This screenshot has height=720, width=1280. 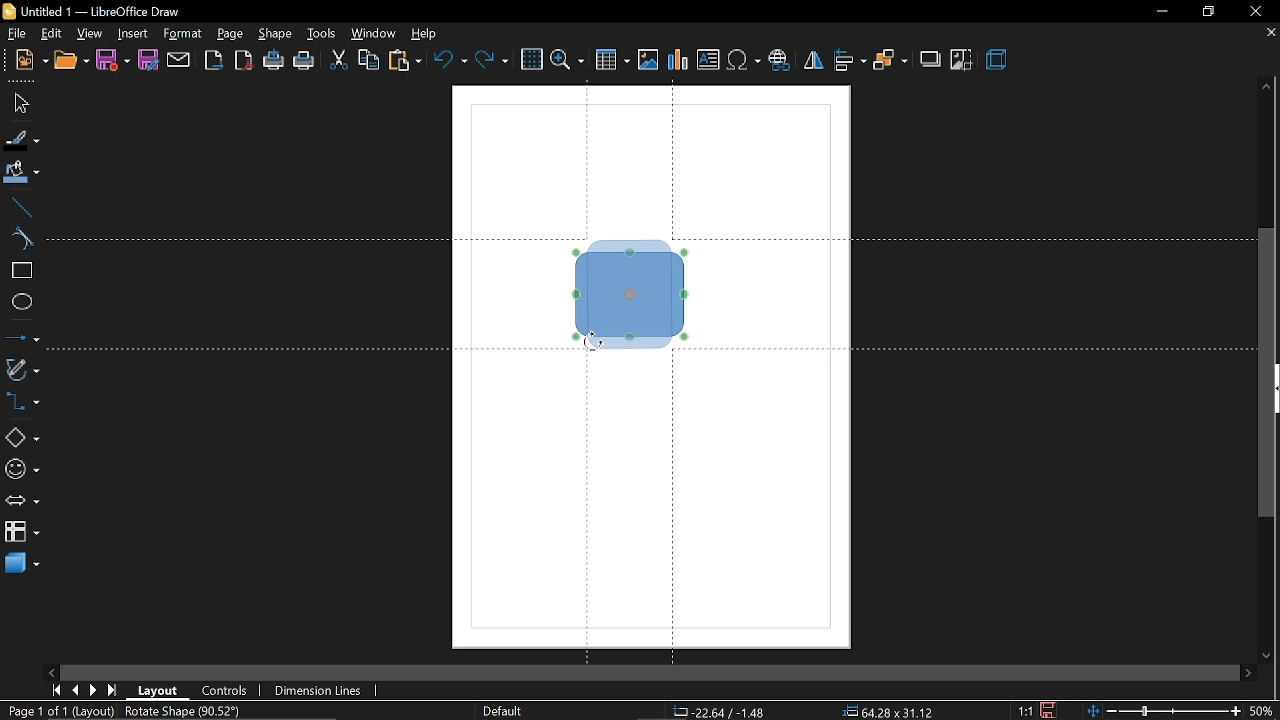 What do you see at coordinates (184, 35) in the screenshot?
I see `format` at bounding box center [184, 35].